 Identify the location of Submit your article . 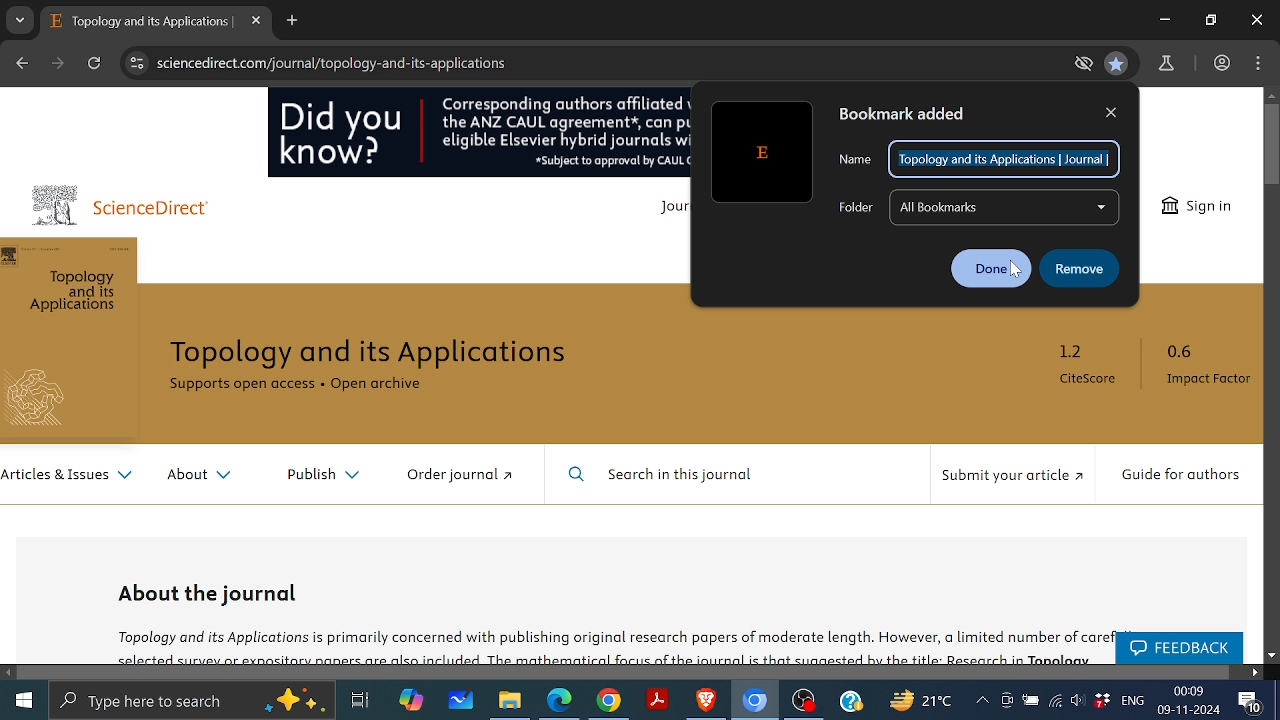
(1011, 481).